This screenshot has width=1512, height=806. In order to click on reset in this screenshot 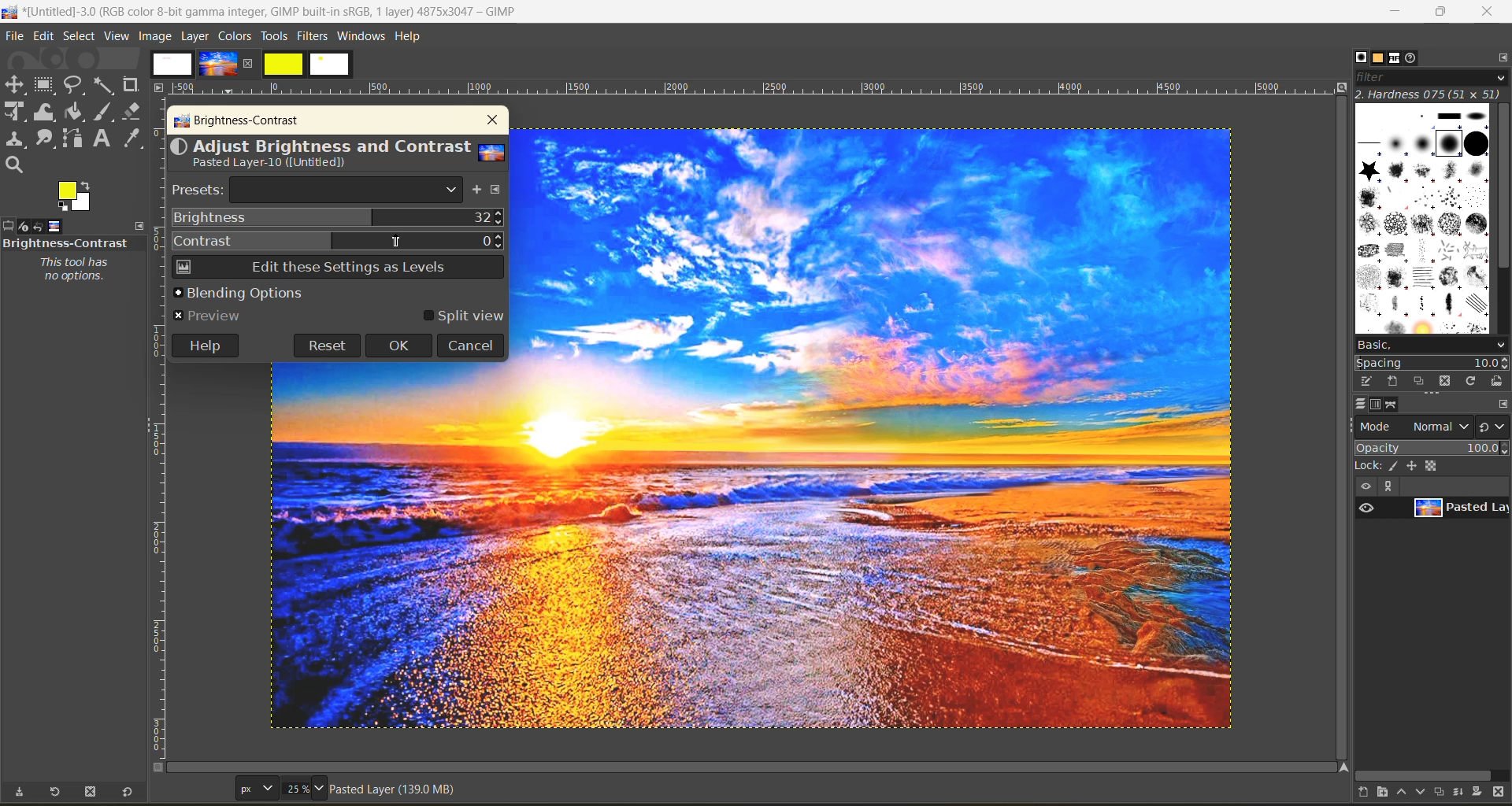, I will do `click(326, 345)`.